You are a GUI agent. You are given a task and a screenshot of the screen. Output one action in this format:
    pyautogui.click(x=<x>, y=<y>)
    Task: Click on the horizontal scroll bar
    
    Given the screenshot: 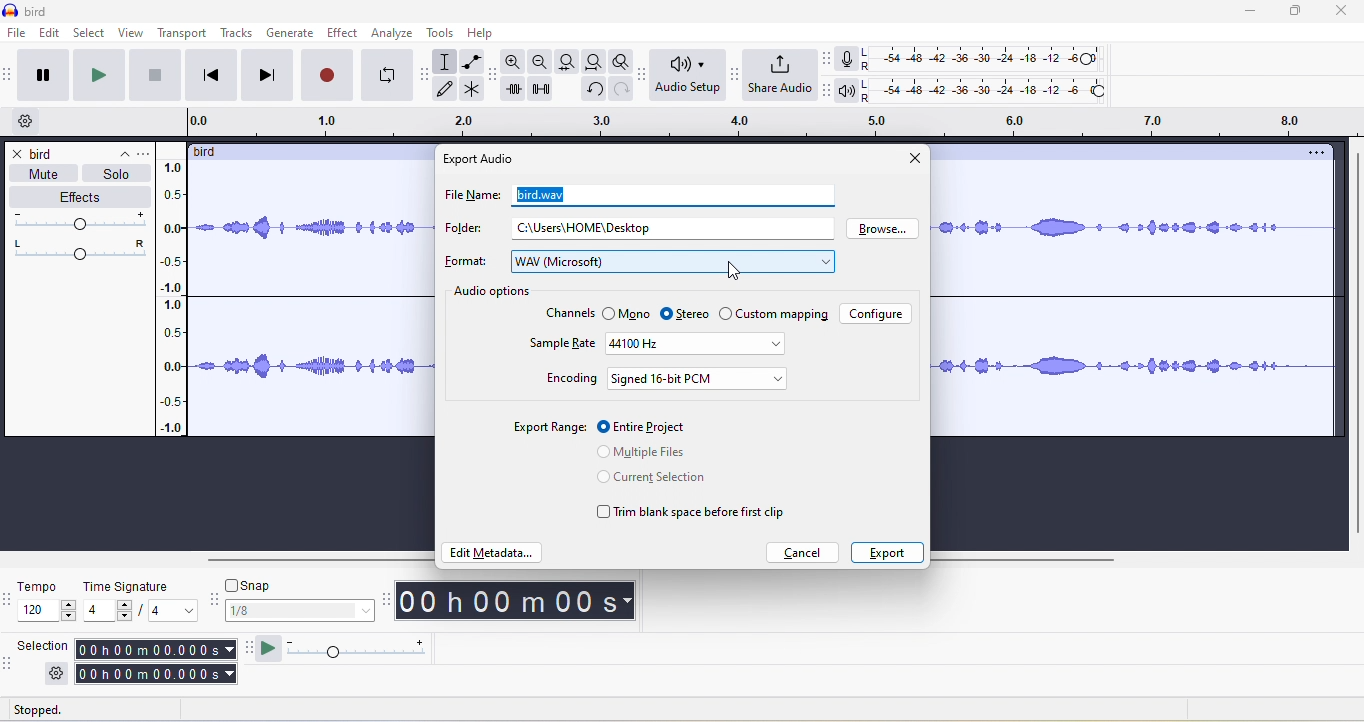 What is the action you would take?
    pyautogui.click(x=1022, y=560)
    